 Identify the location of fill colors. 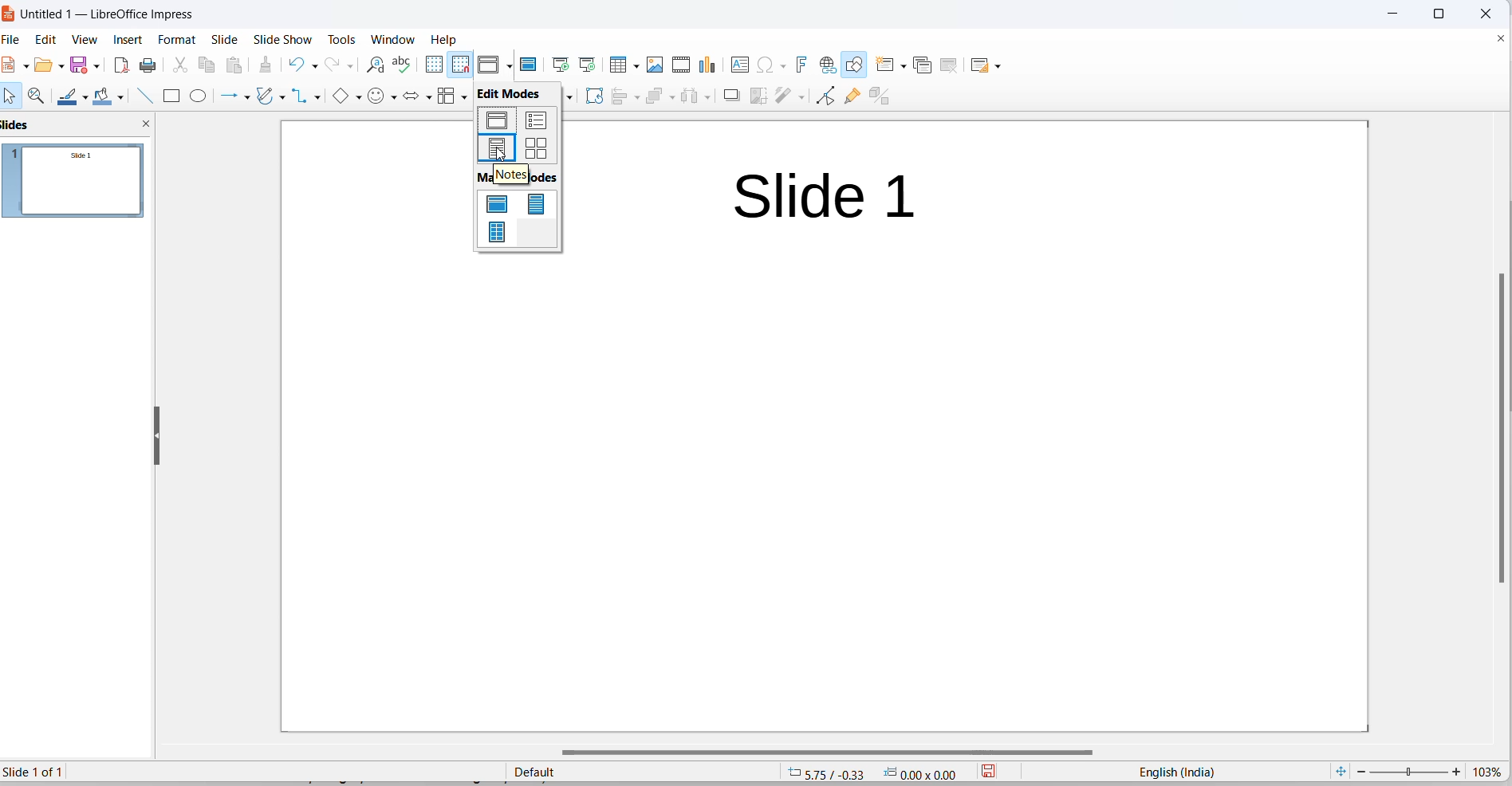
(105, 96).